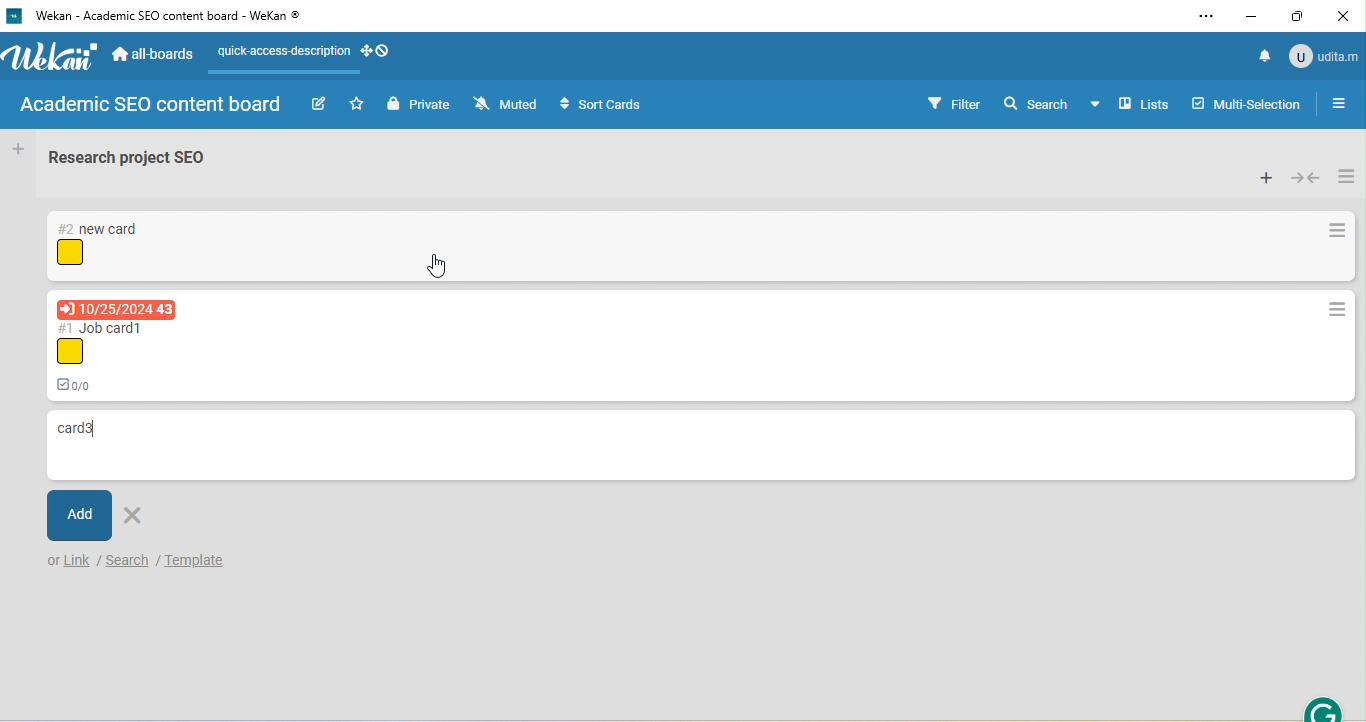  I want to click on list name: research project SEO, so click(139, 162).